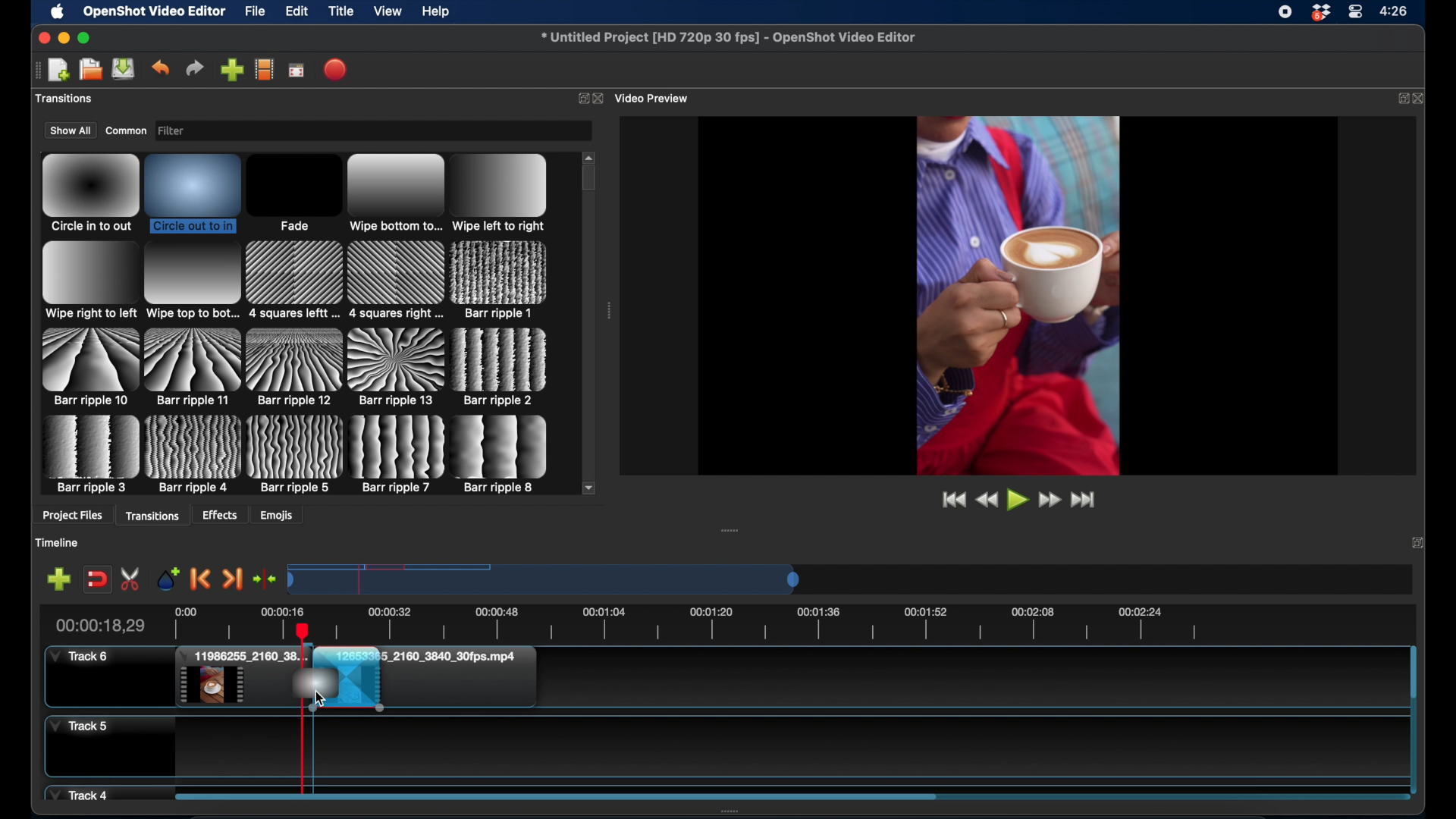 This screenshot has width=1456, height=819. Describe the element at coordinates (232, 579) in the screenshot. I see `next marker` at that location.